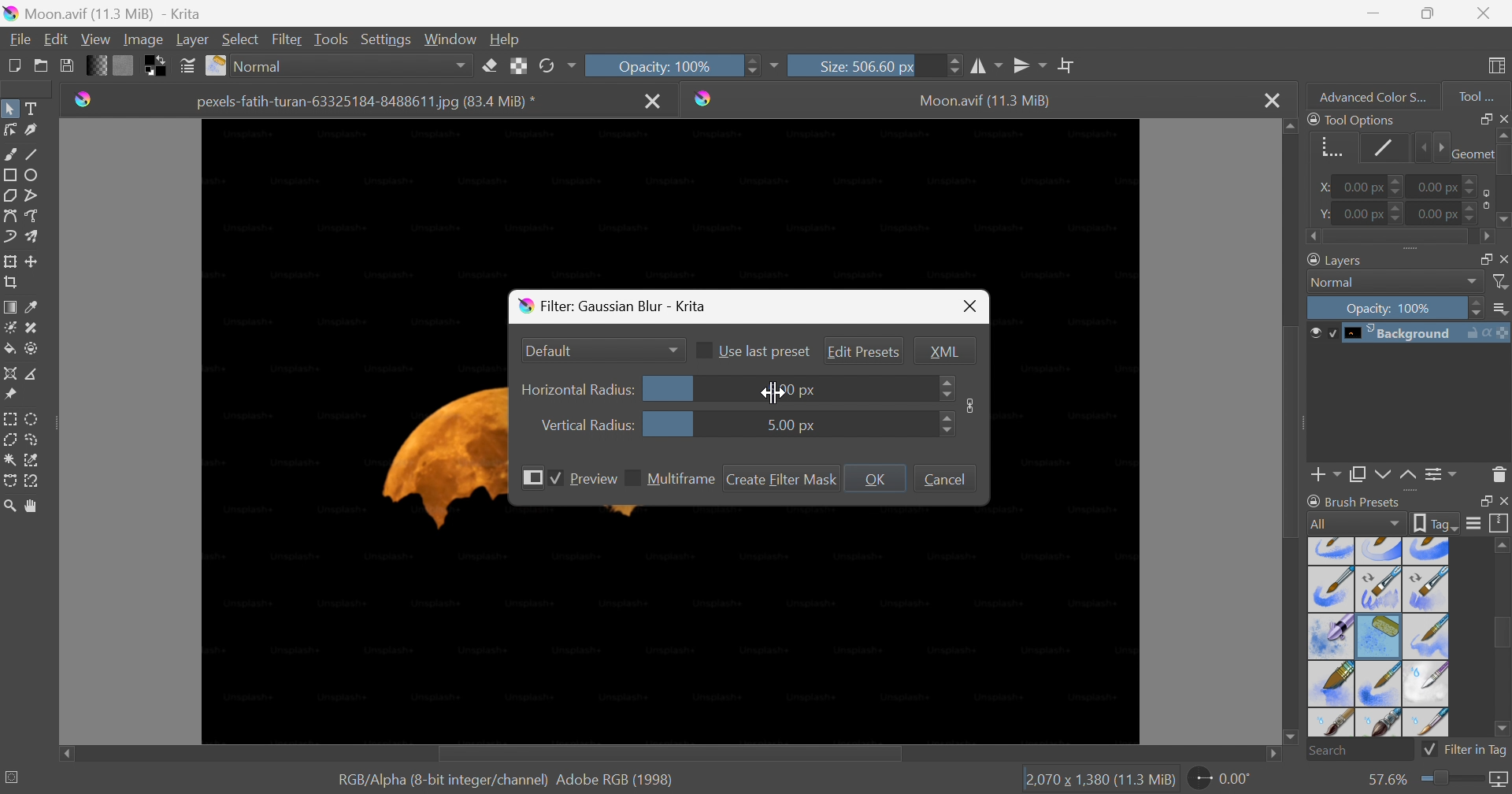 This screenshot has height=794, width=1512. Describe the element at coordinates (1499, 309) in the screenshot. I see `Thumbnail size` at that location.